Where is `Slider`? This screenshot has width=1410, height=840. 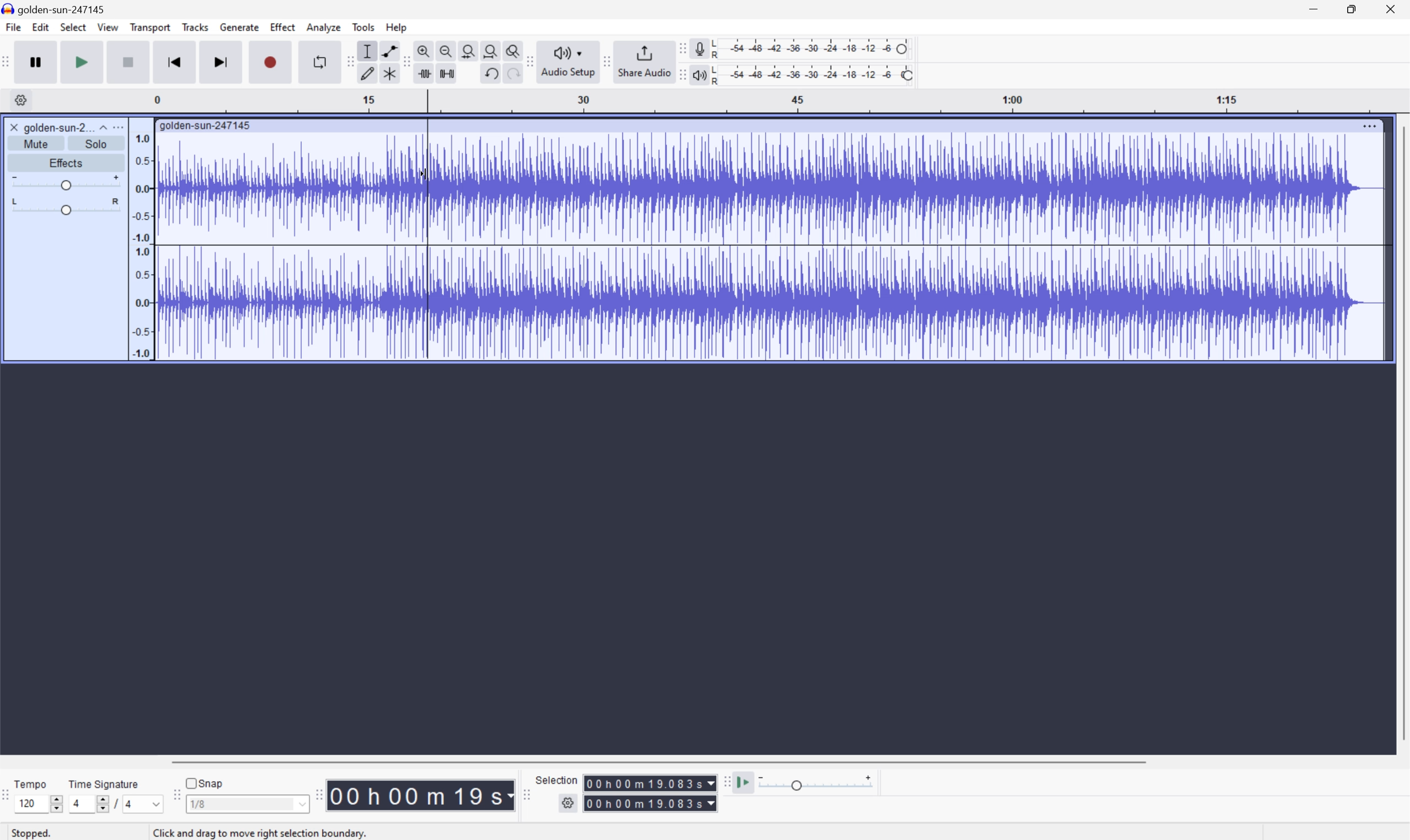
Slider is located at coordinates (63, 182).